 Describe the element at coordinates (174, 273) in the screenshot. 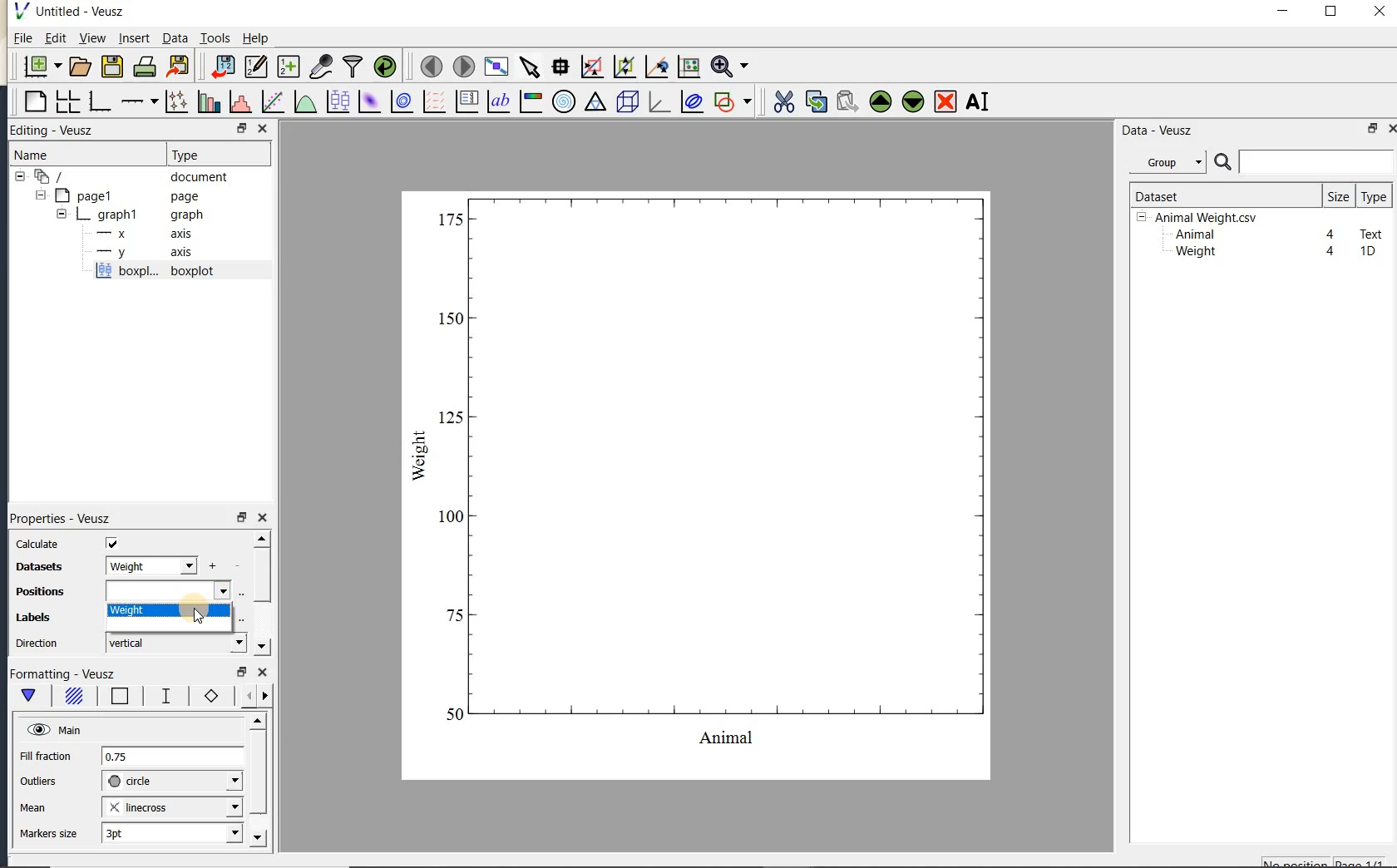

I see `boxplot` at that location.